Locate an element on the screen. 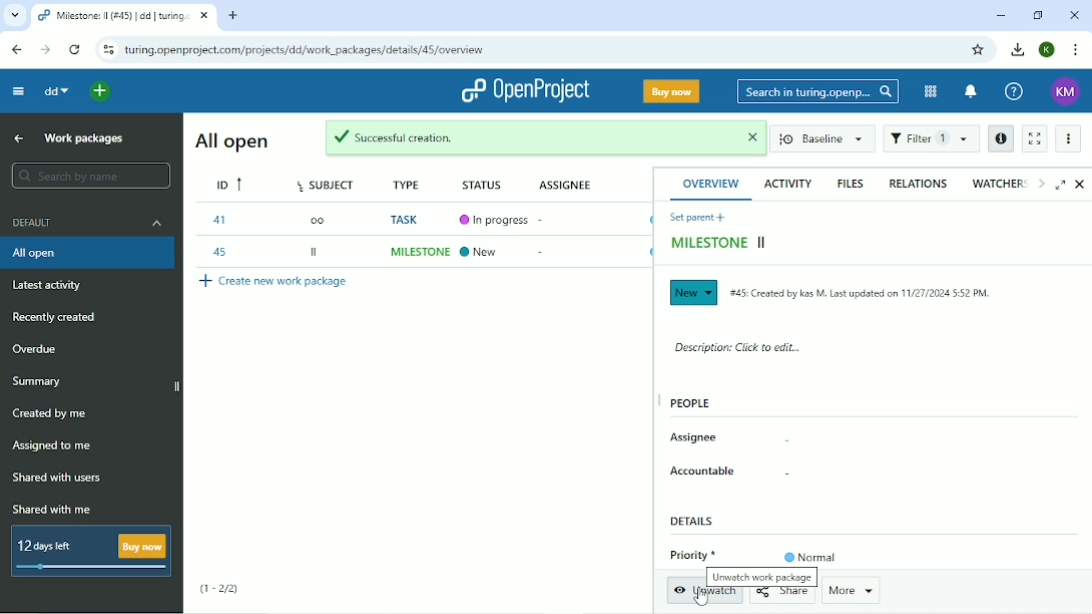 The width and height of the screenshot is (1092, 614). Normal is located at coordinates (811, 557).